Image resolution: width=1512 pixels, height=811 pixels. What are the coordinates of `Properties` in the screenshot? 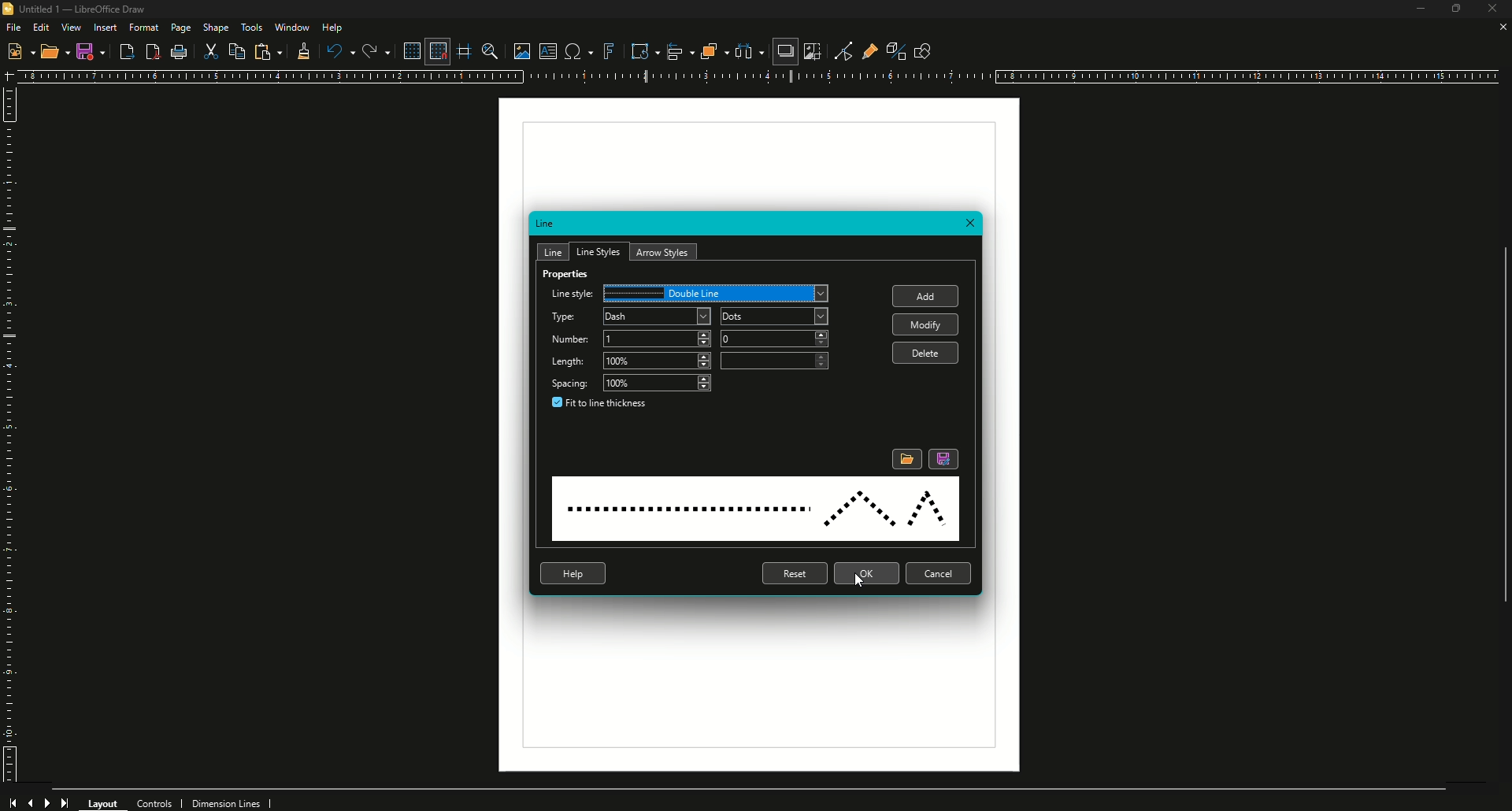 It's located at (567, 277).